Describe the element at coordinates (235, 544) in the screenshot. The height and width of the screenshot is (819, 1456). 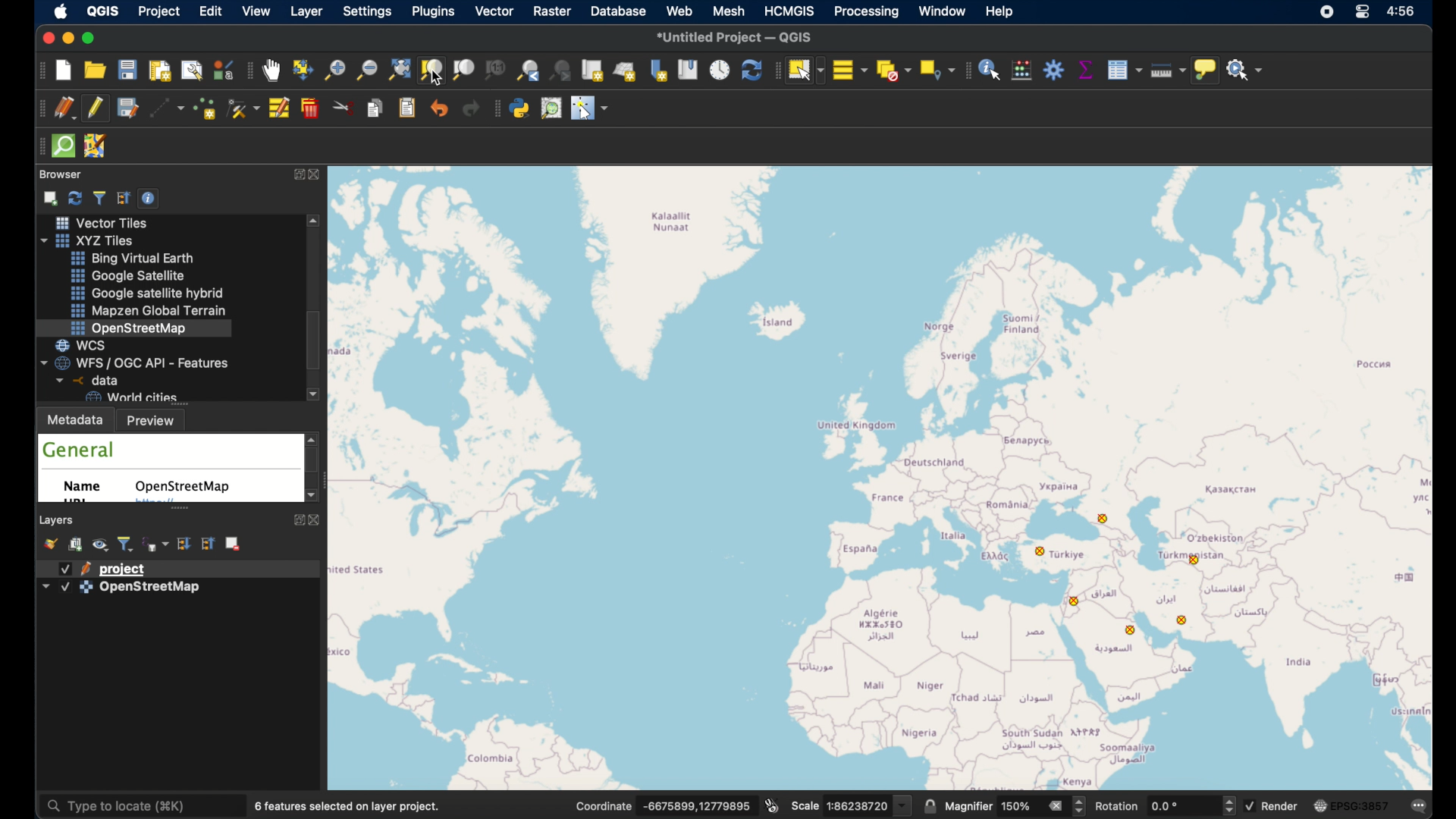
I see `remove layer/group` at that location.